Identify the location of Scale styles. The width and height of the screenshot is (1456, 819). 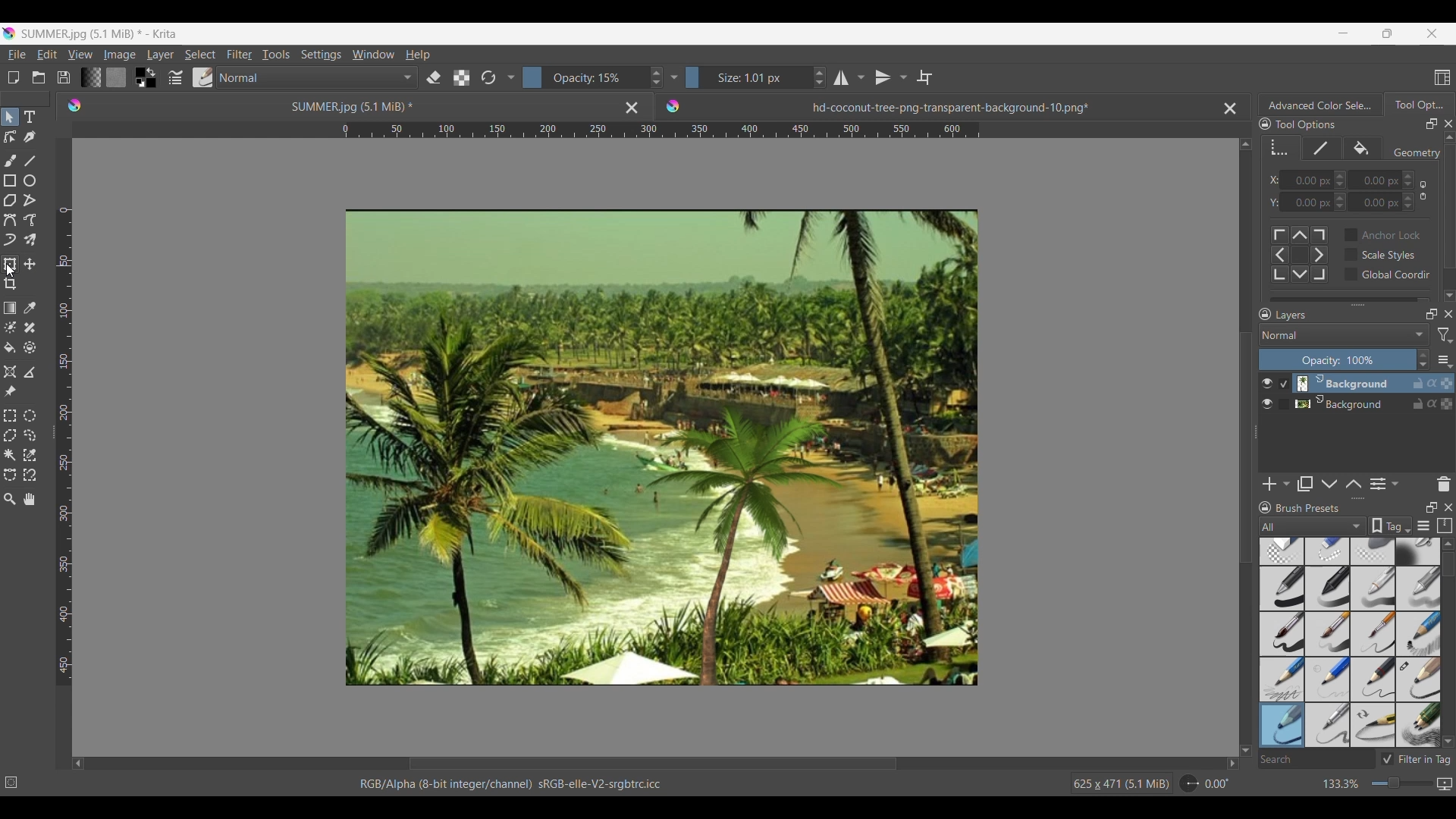
(1380, 254).